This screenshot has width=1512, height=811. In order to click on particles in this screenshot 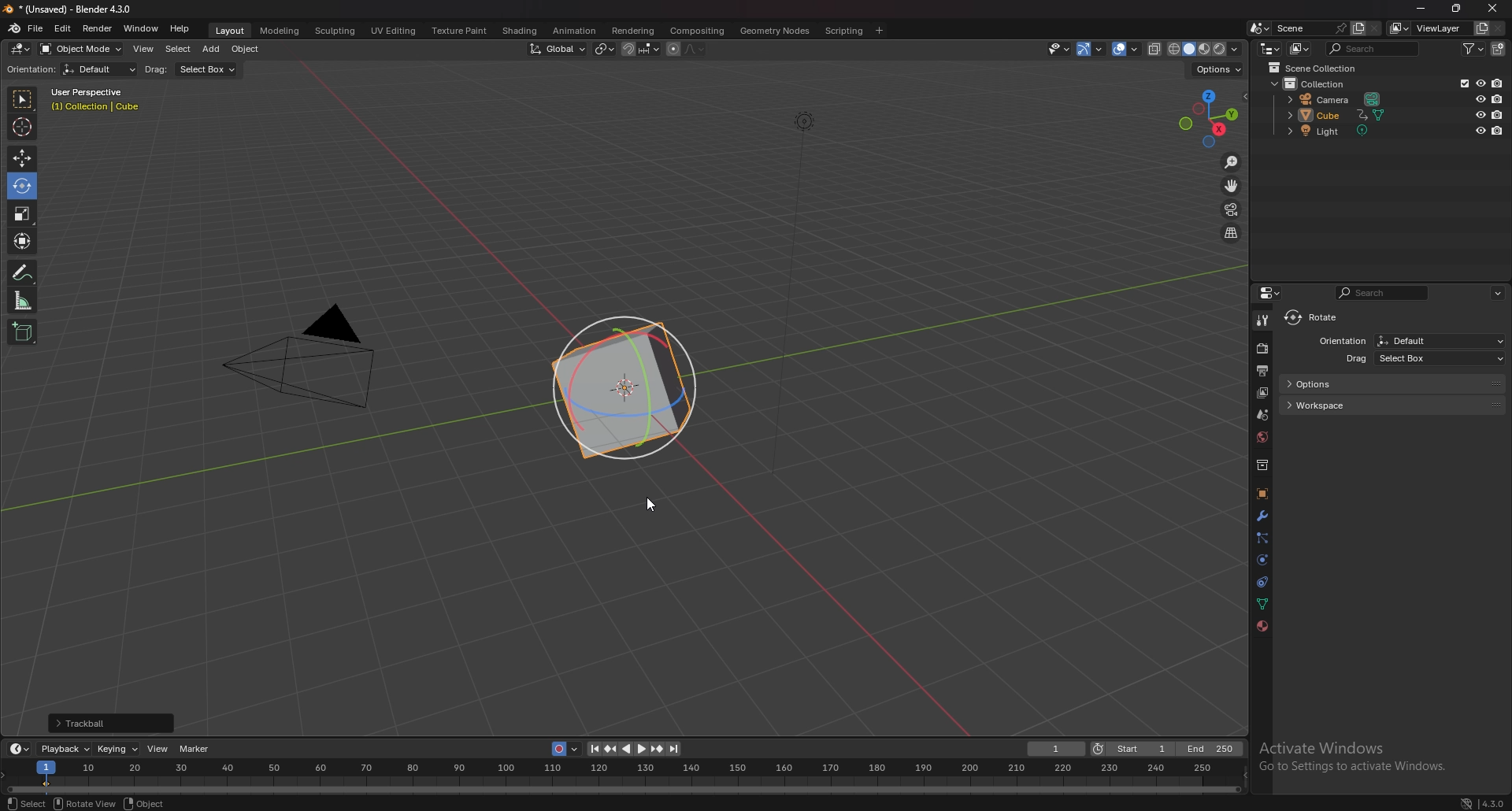, I will do `click(1262, 539)`.